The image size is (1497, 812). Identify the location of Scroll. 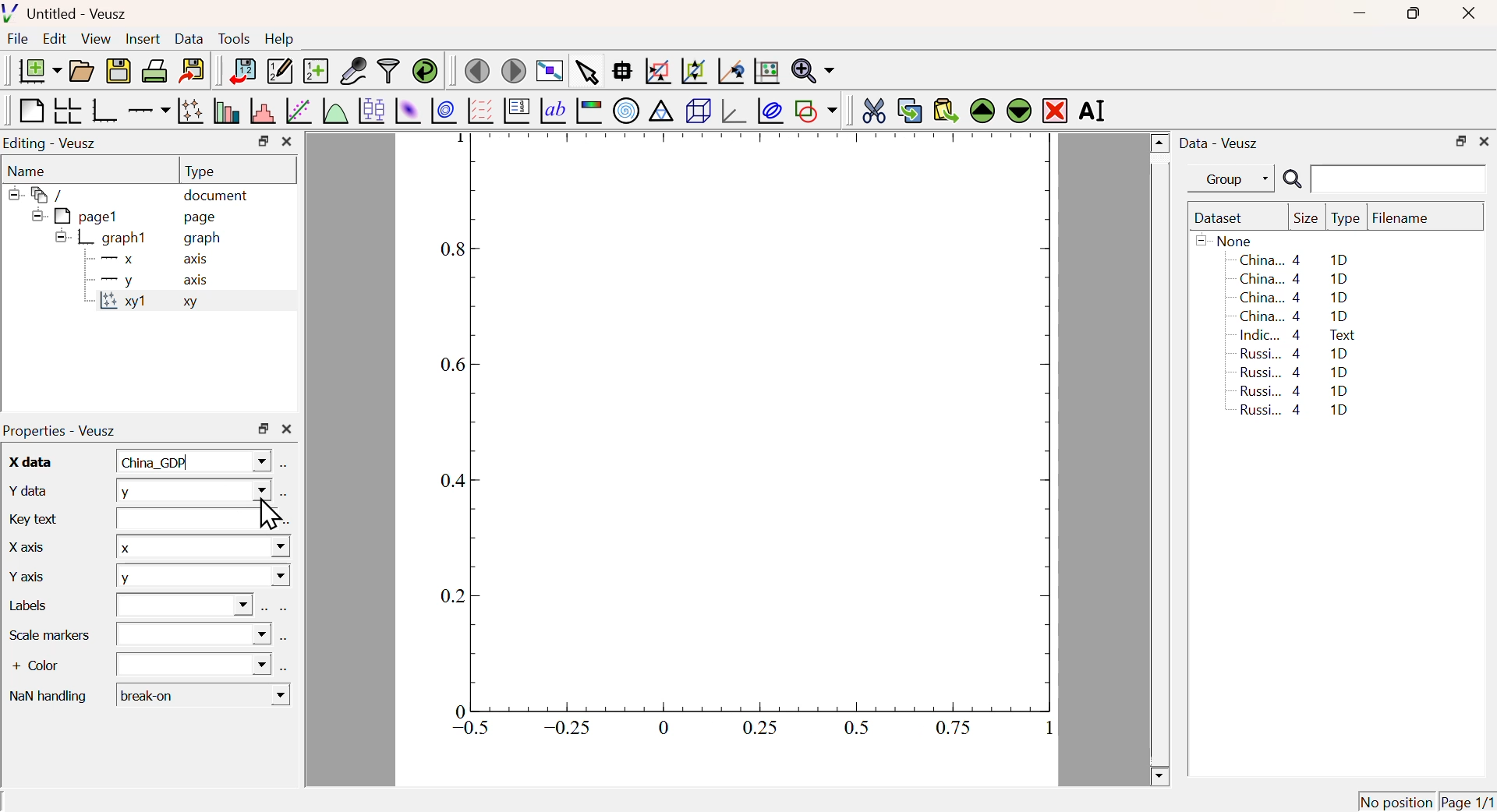
(1160, 461).